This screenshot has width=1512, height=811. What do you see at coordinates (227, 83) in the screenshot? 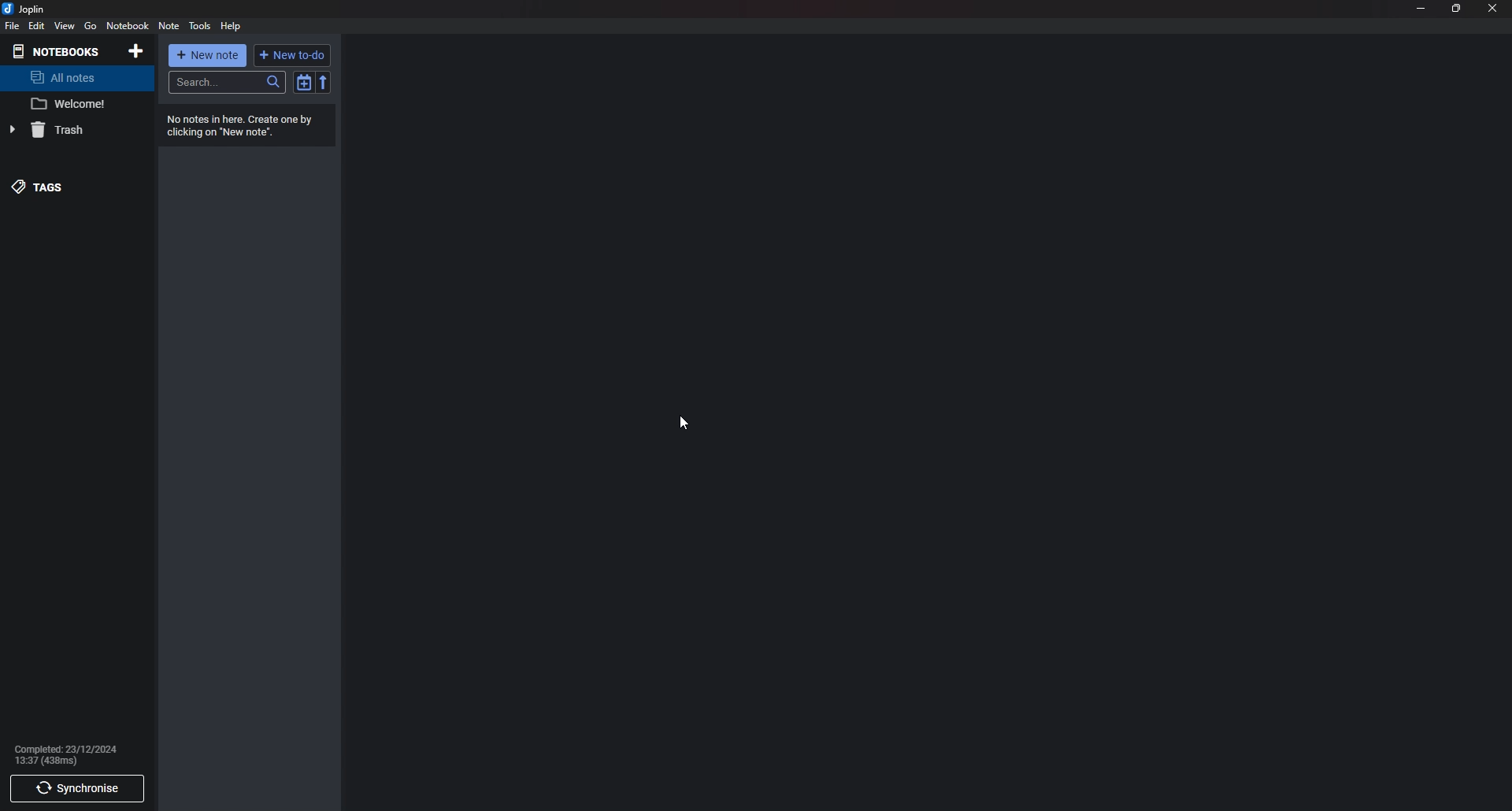
I see `Search` at bounding box center [227, 83].